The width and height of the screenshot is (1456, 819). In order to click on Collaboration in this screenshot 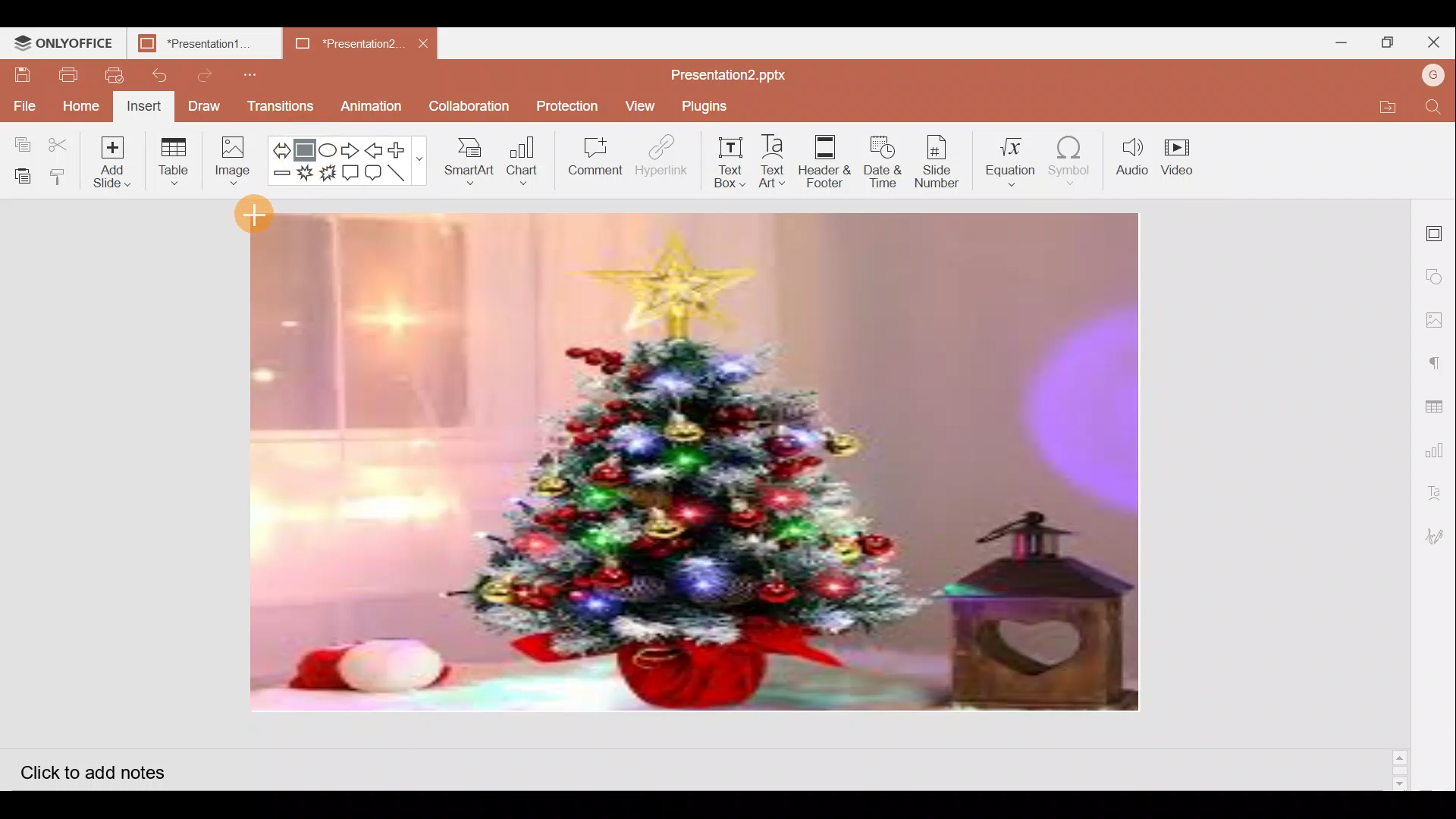, I will do `click(470, 106)`.